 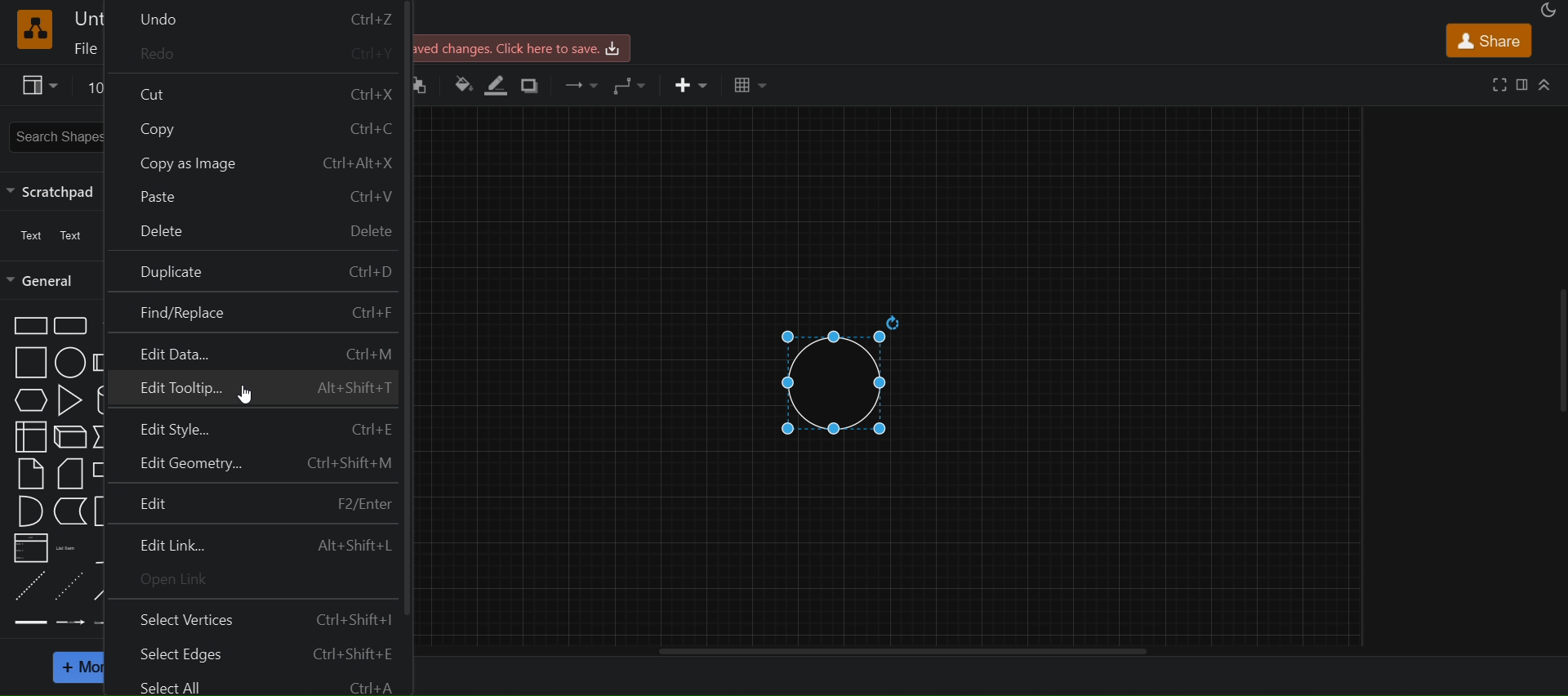 What do you see at coordinates (256, 195) in the screenshot?
I see `paste` at bounding box center [256, 195].